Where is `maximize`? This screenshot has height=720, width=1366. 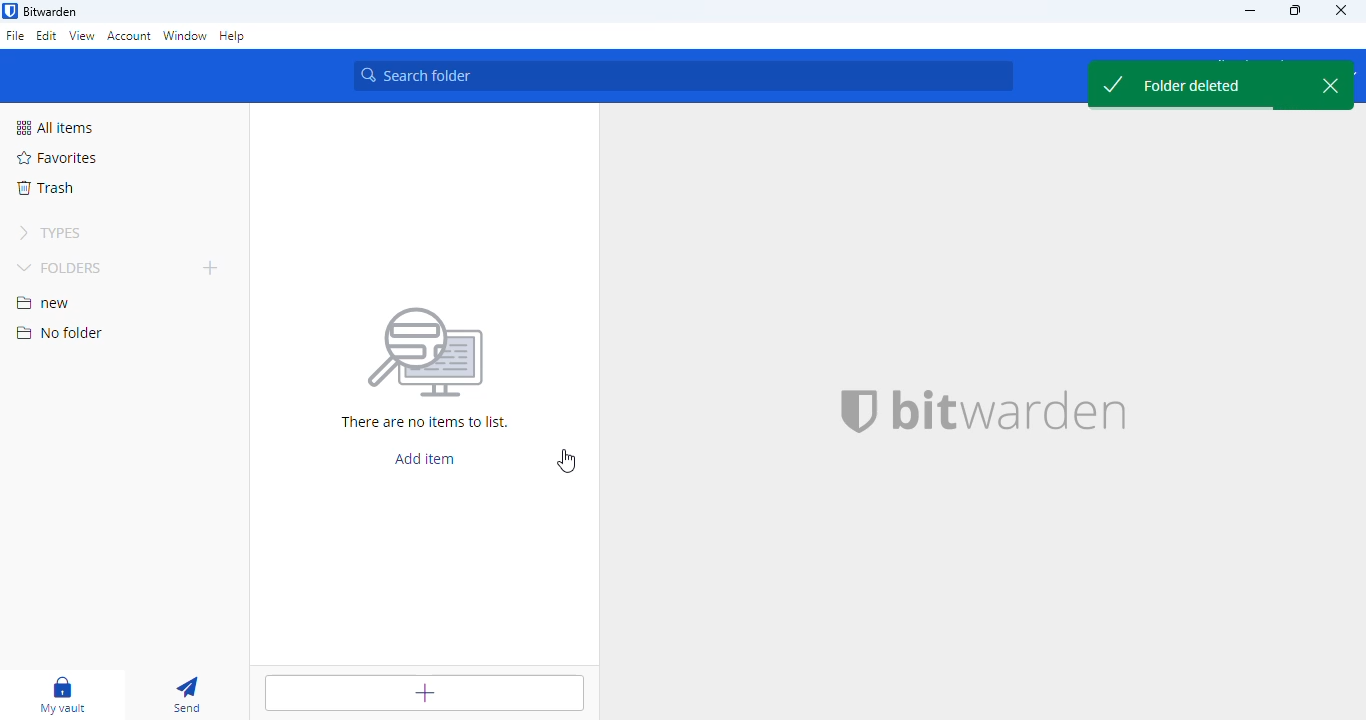
maximize is located at coordinates (1295, 11).